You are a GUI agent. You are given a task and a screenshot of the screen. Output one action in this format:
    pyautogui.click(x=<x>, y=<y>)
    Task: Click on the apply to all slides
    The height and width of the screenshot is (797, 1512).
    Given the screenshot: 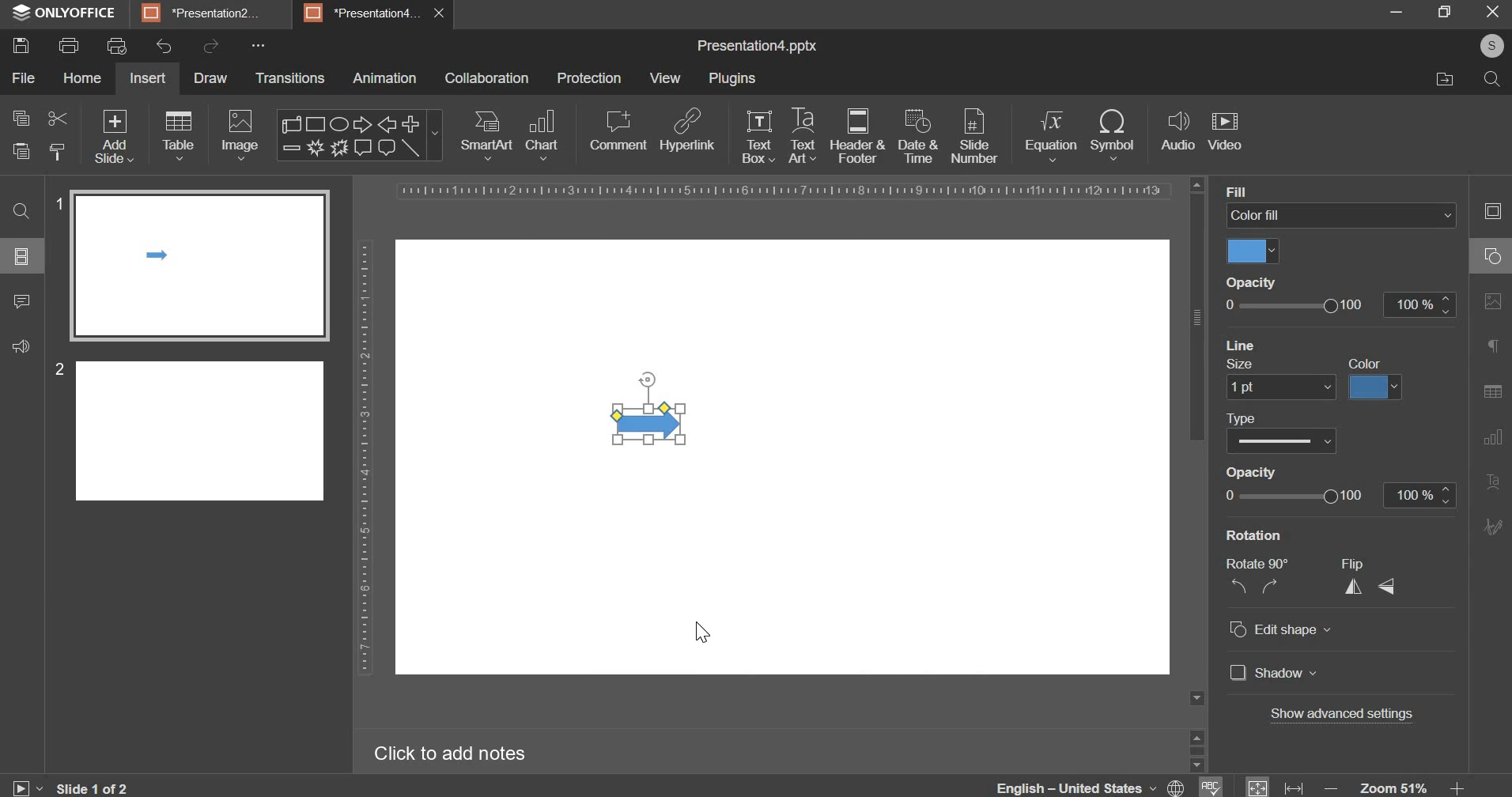 What is the action you would take?
    pyautogui.click(x=1370, y=363)
    